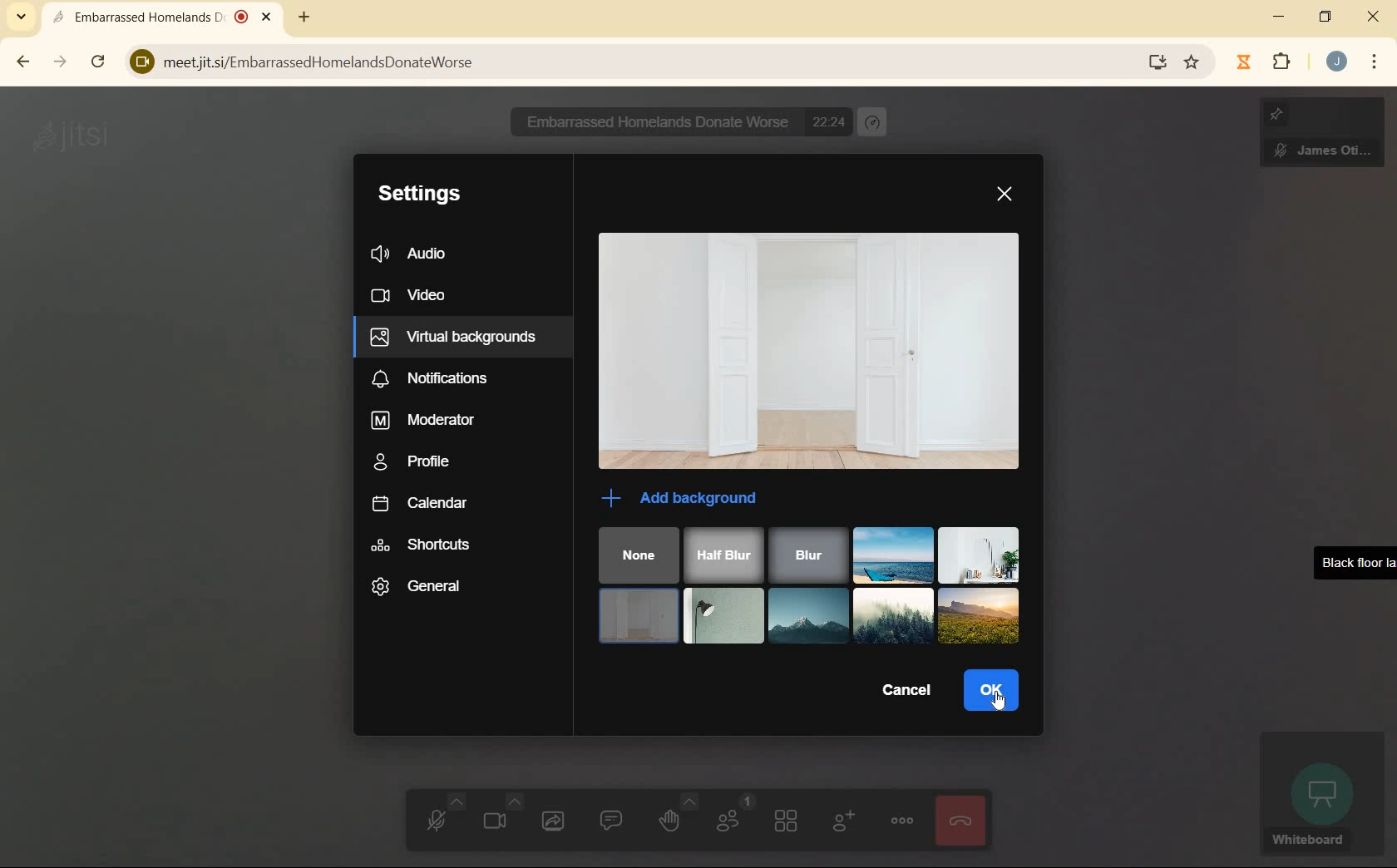 The width and height of the screenshot is (1397, 868). I want to click on add background, so click(687, 497).